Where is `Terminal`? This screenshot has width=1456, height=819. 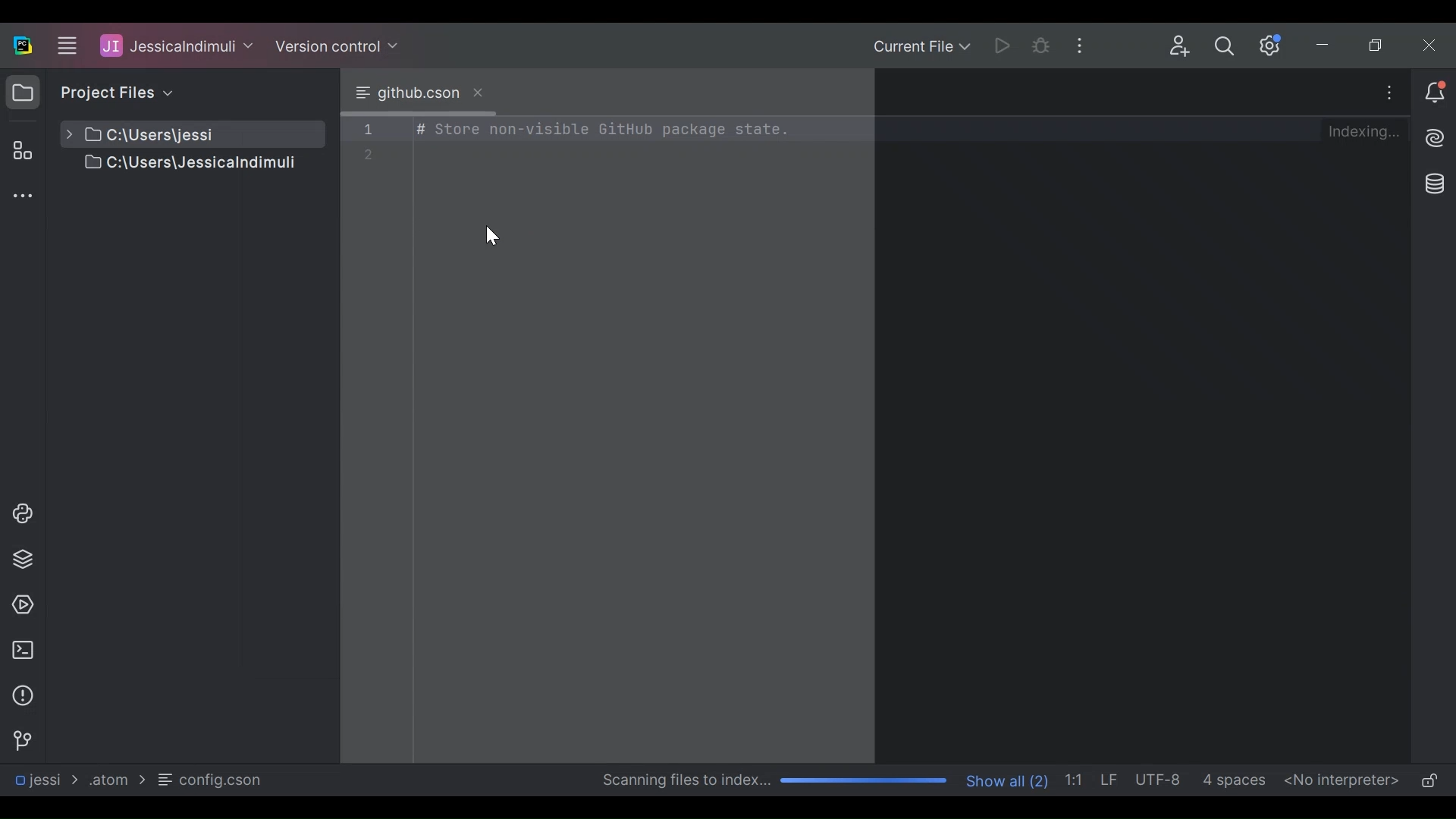
Terminal is located at coordinates (23, 650).